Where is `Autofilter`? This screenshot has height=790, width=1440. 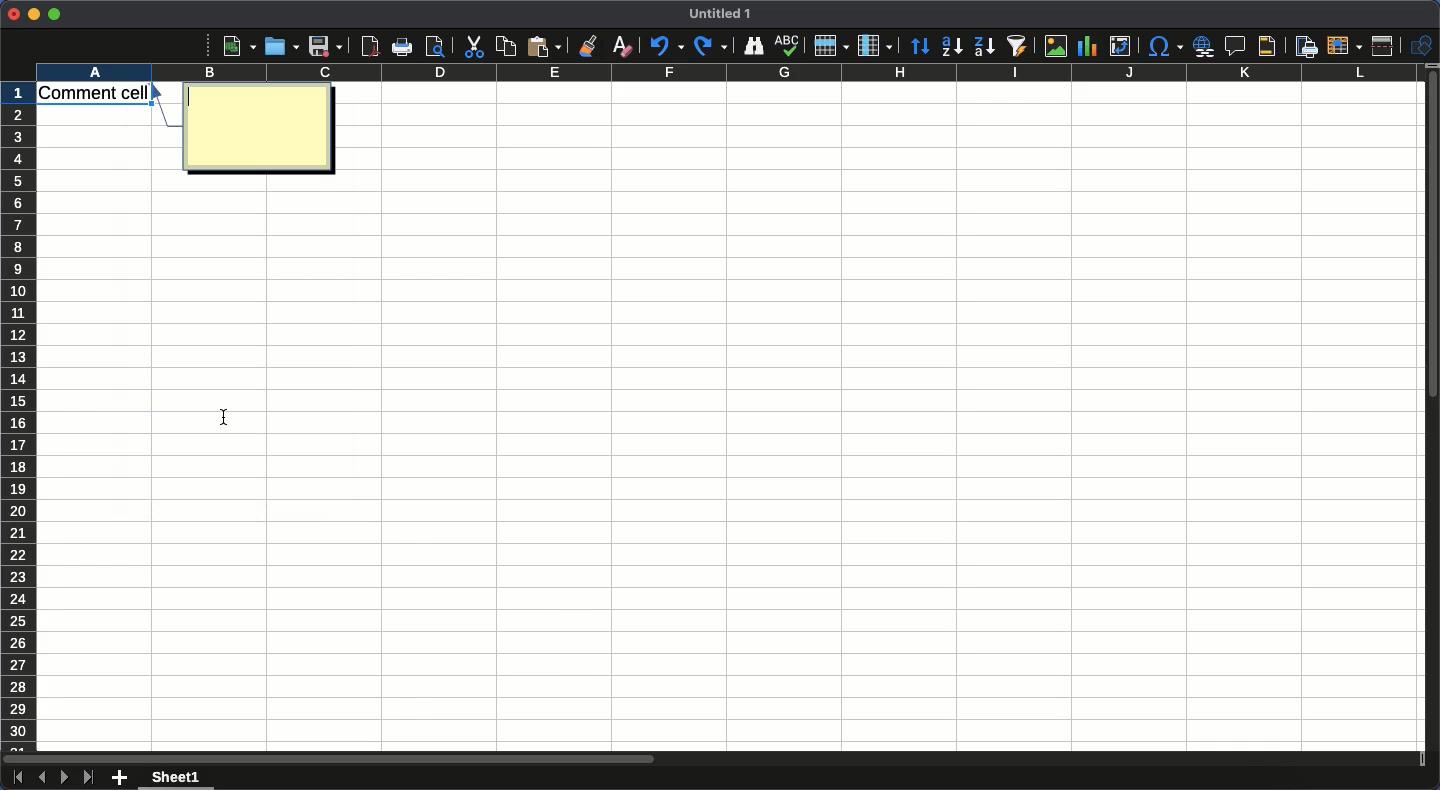
Autofilter is located at coordinates (1021, 44).